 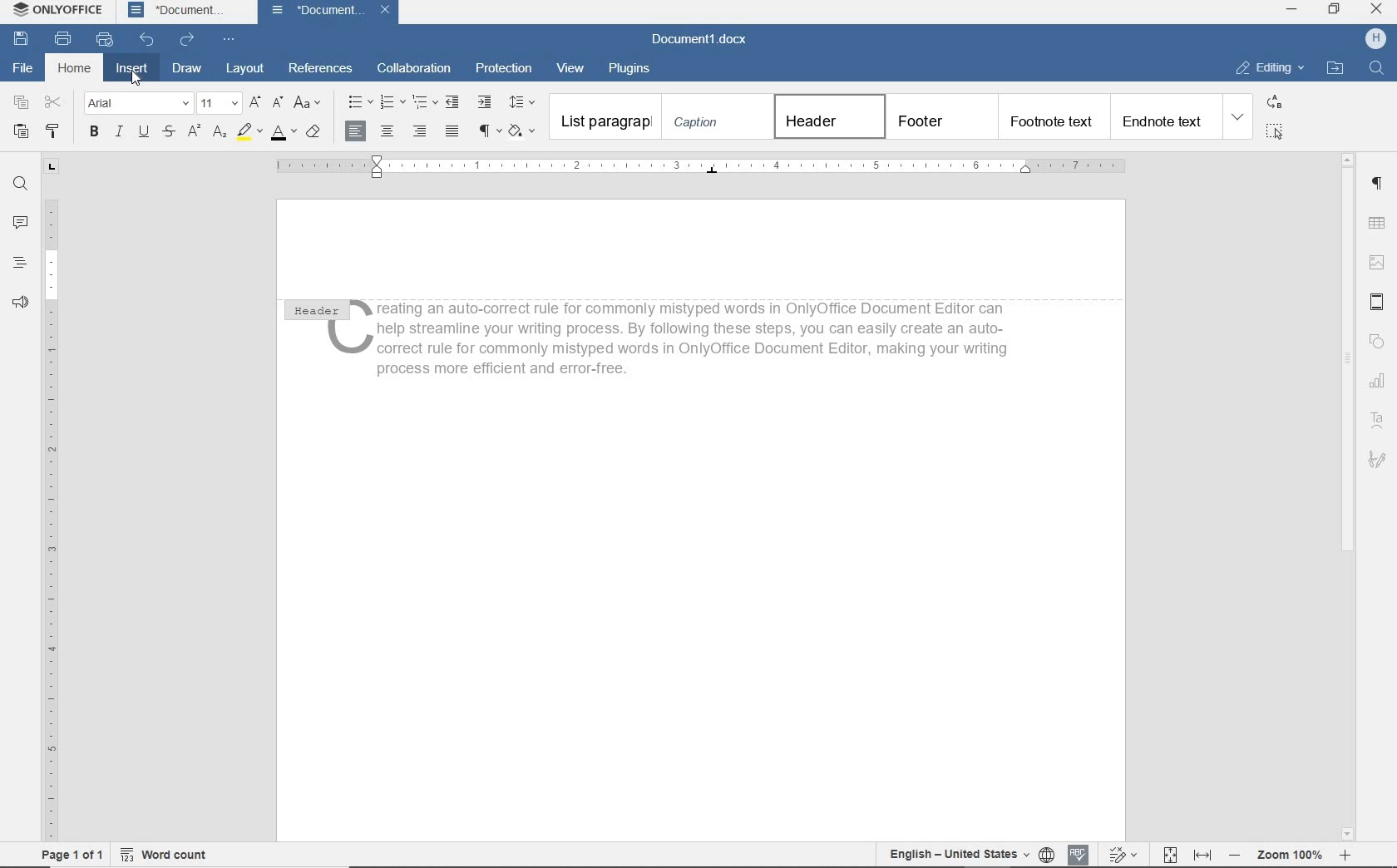 I want to click on CUSTOMIZE QUICK ACCESS TOOLBAR, so click(x=225, y=38).